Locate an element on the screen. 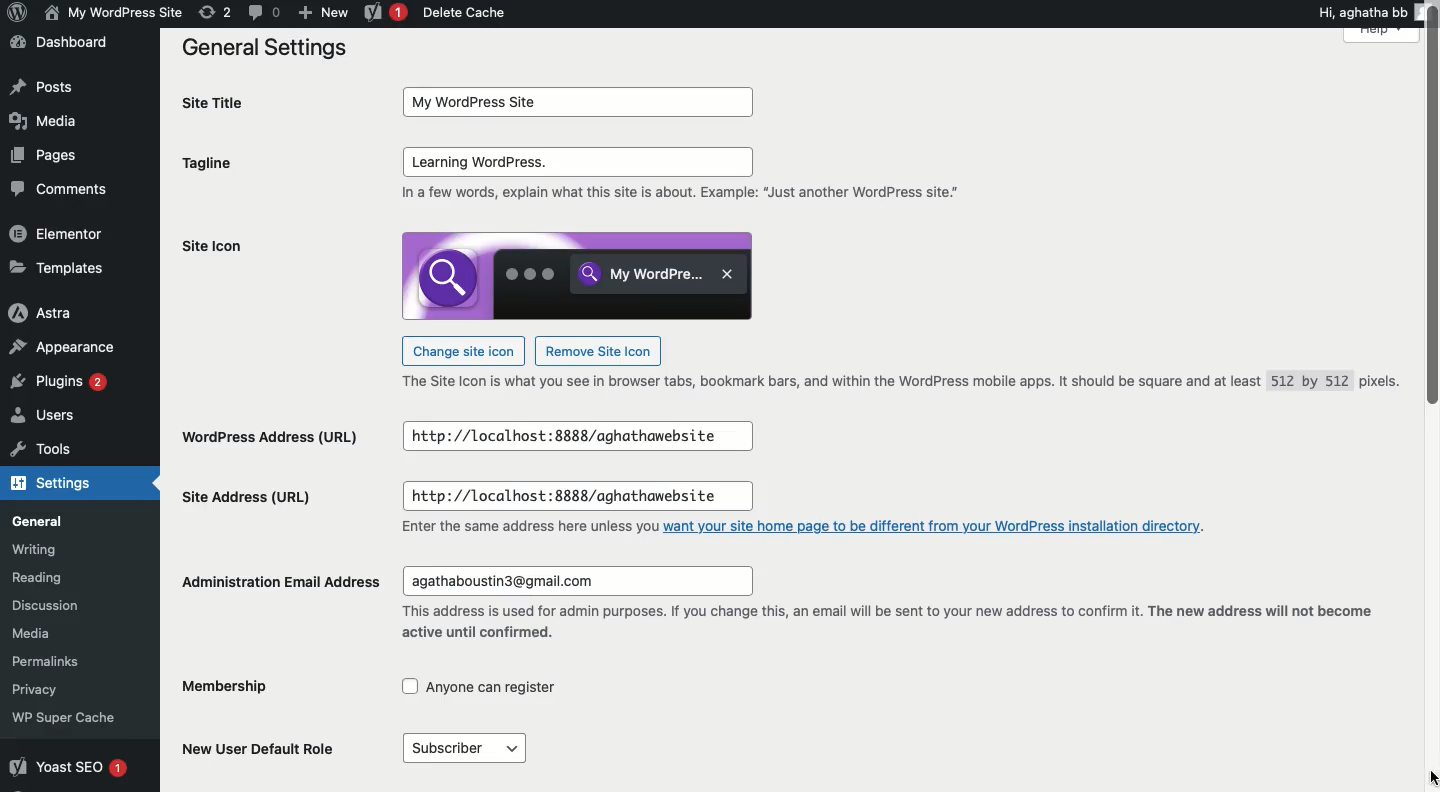 Image resolution: width=1440 pixels, height=792 pixels. Privacy is located at coordinates (60, 693).